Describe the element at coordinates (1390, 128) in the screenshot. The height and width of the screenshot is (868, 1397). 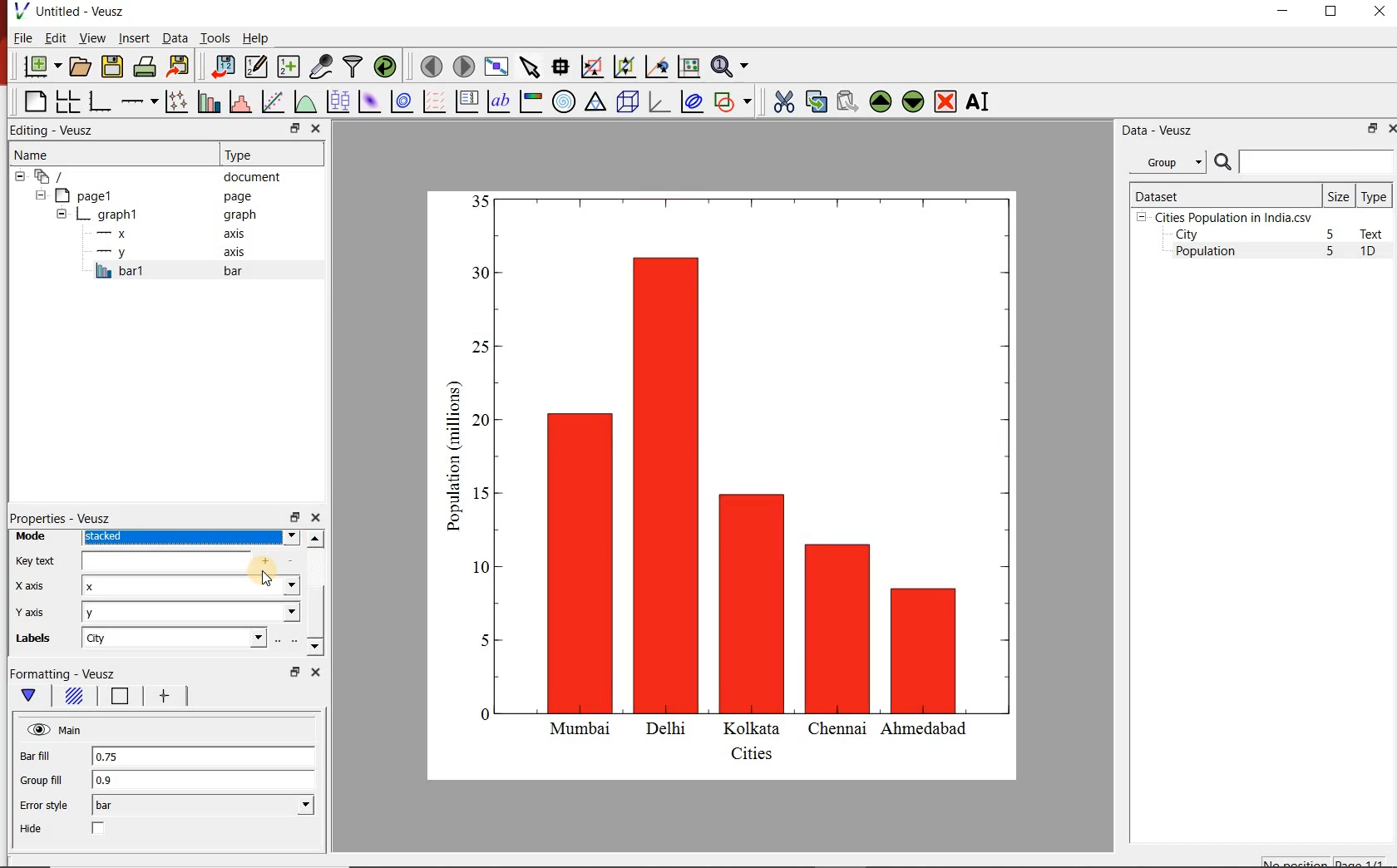
I see `close` at that location.